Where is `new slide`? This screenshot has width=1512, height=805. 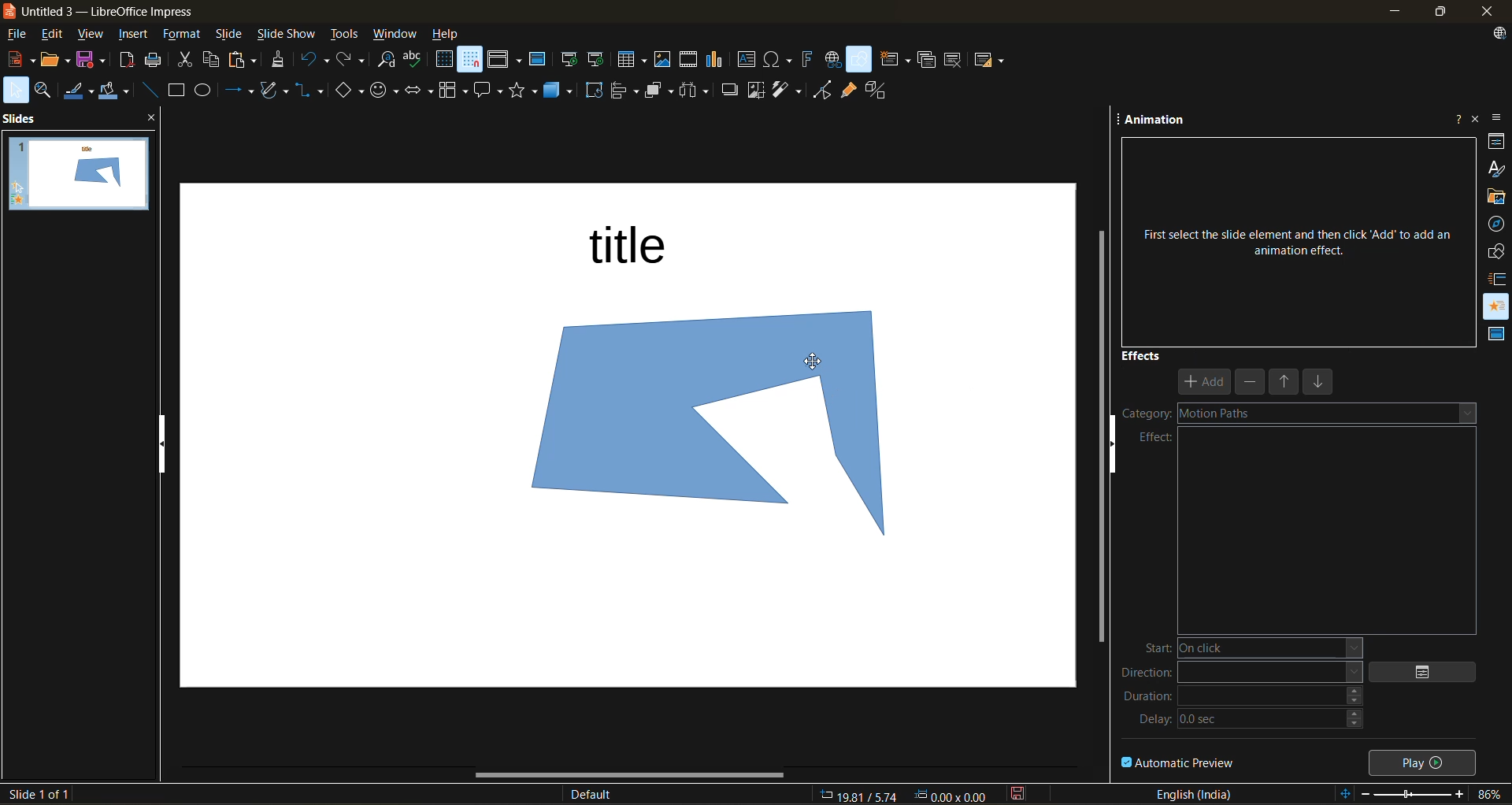 new slide is located at coordinates (893, 59).